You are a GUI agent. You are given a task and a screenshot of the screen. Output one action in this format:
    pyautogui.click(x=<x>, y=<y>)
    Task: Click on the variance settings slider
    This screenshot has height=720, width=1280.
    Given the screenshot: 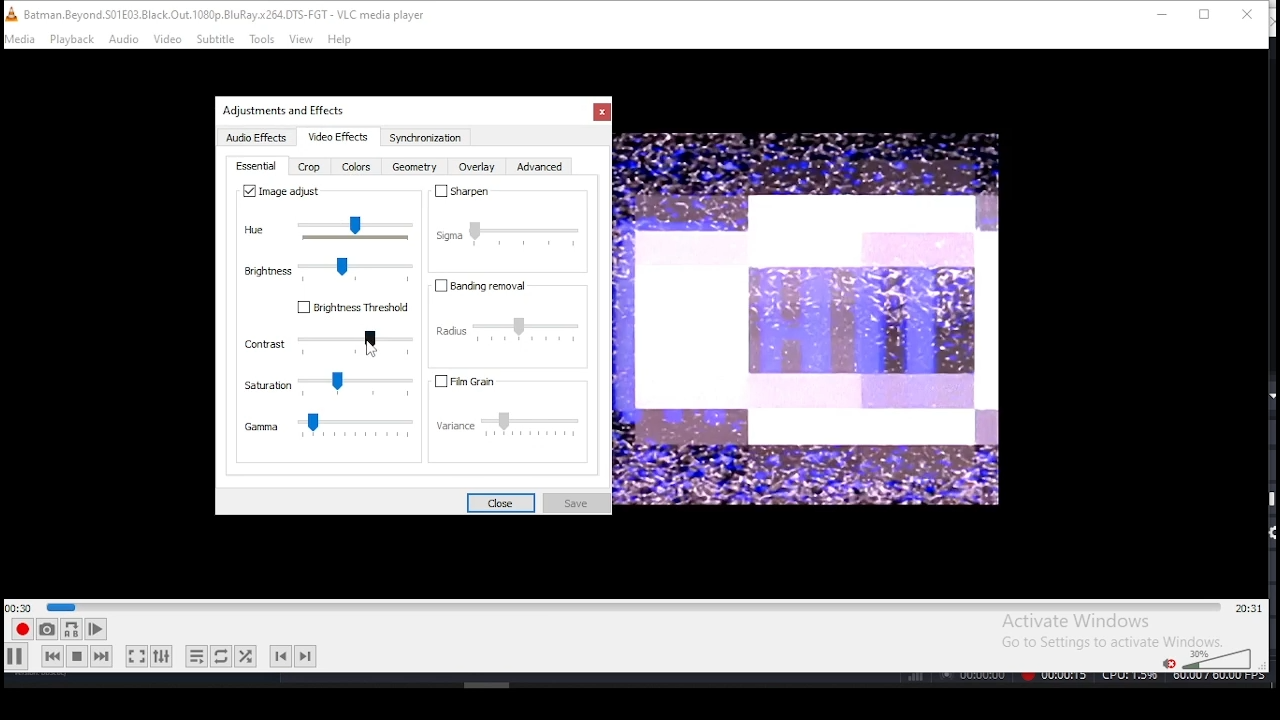 What is the action you would take?
    pyautogui.click(x=515, y=428)
    